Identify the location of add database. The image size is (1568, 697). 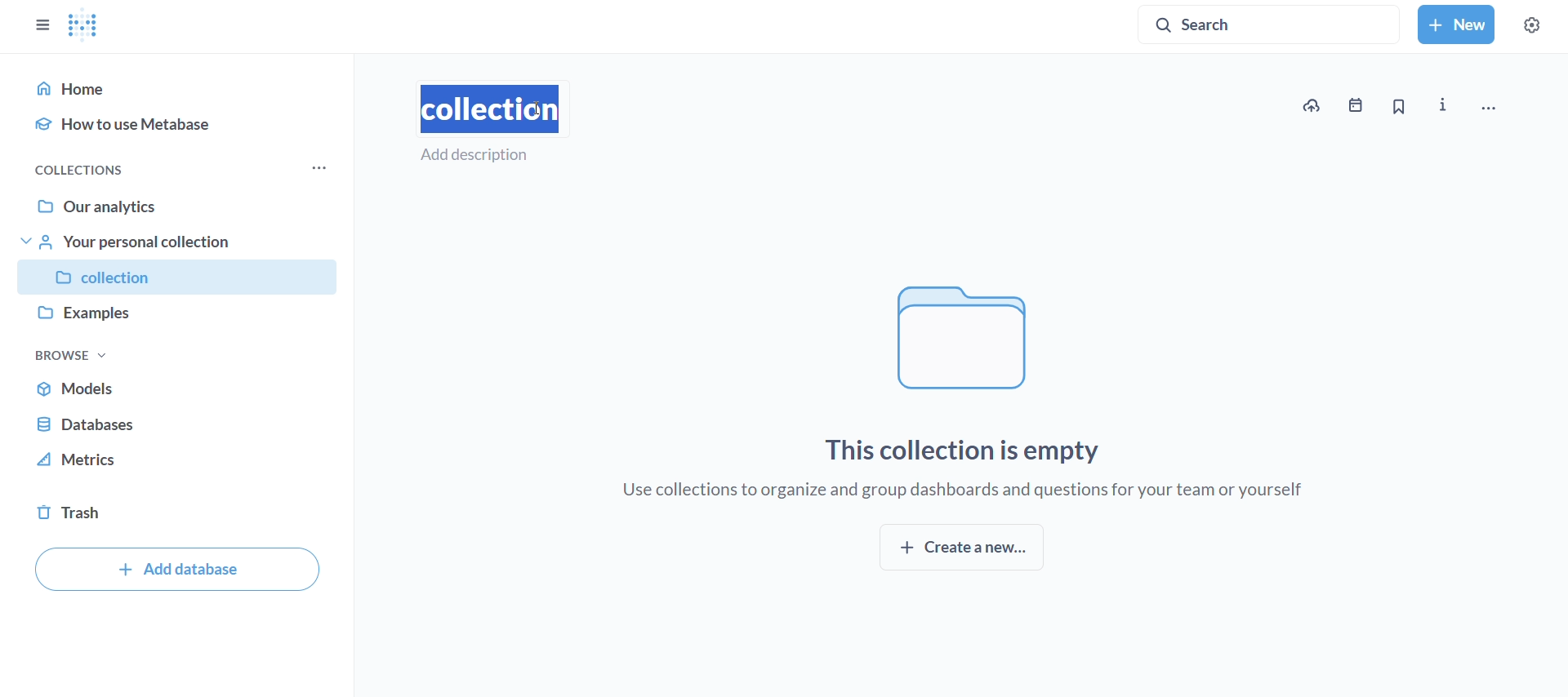
(177, 569).